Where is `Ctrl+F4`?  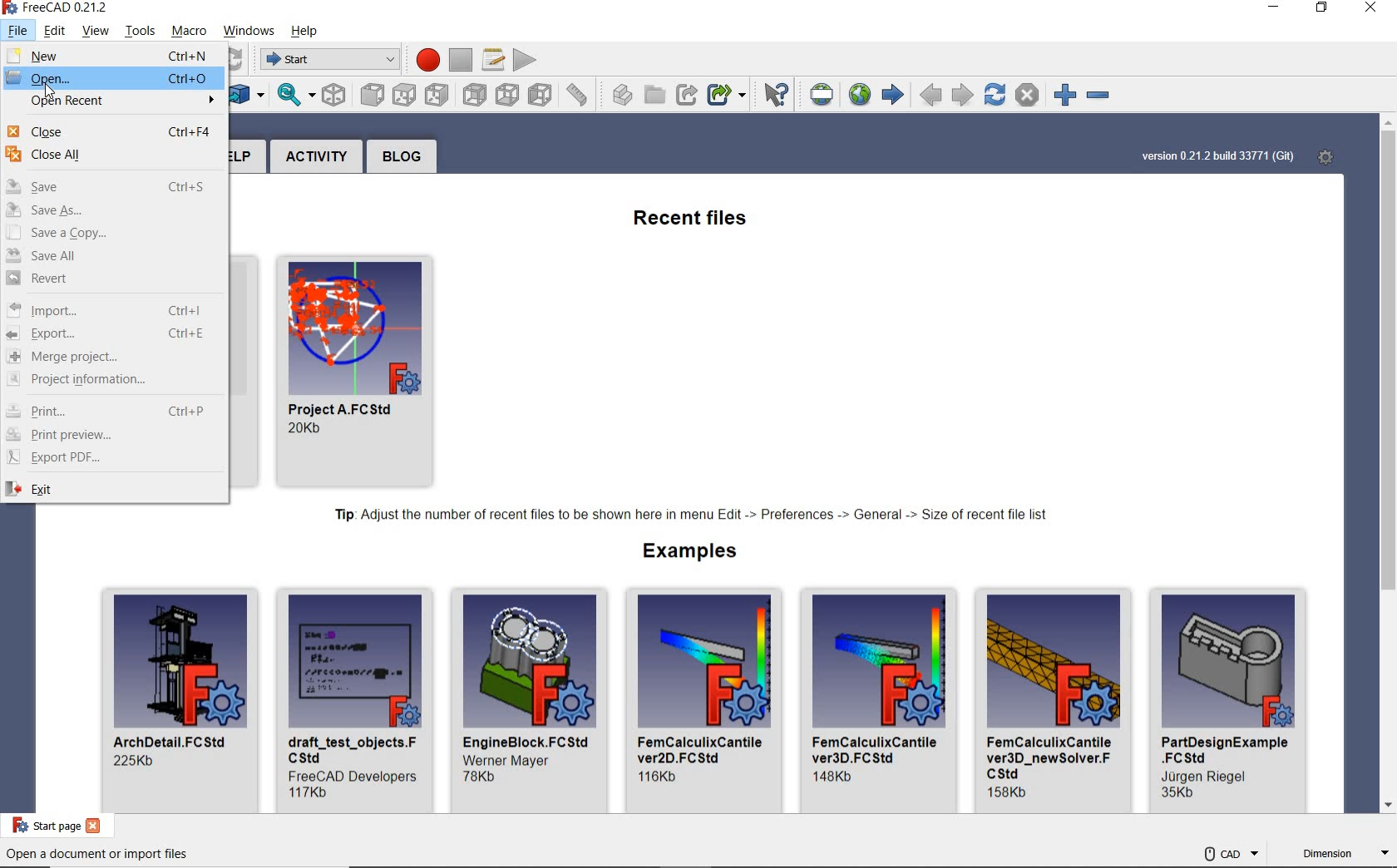
Ctrl+F4 is located at coordinates (190, 133).